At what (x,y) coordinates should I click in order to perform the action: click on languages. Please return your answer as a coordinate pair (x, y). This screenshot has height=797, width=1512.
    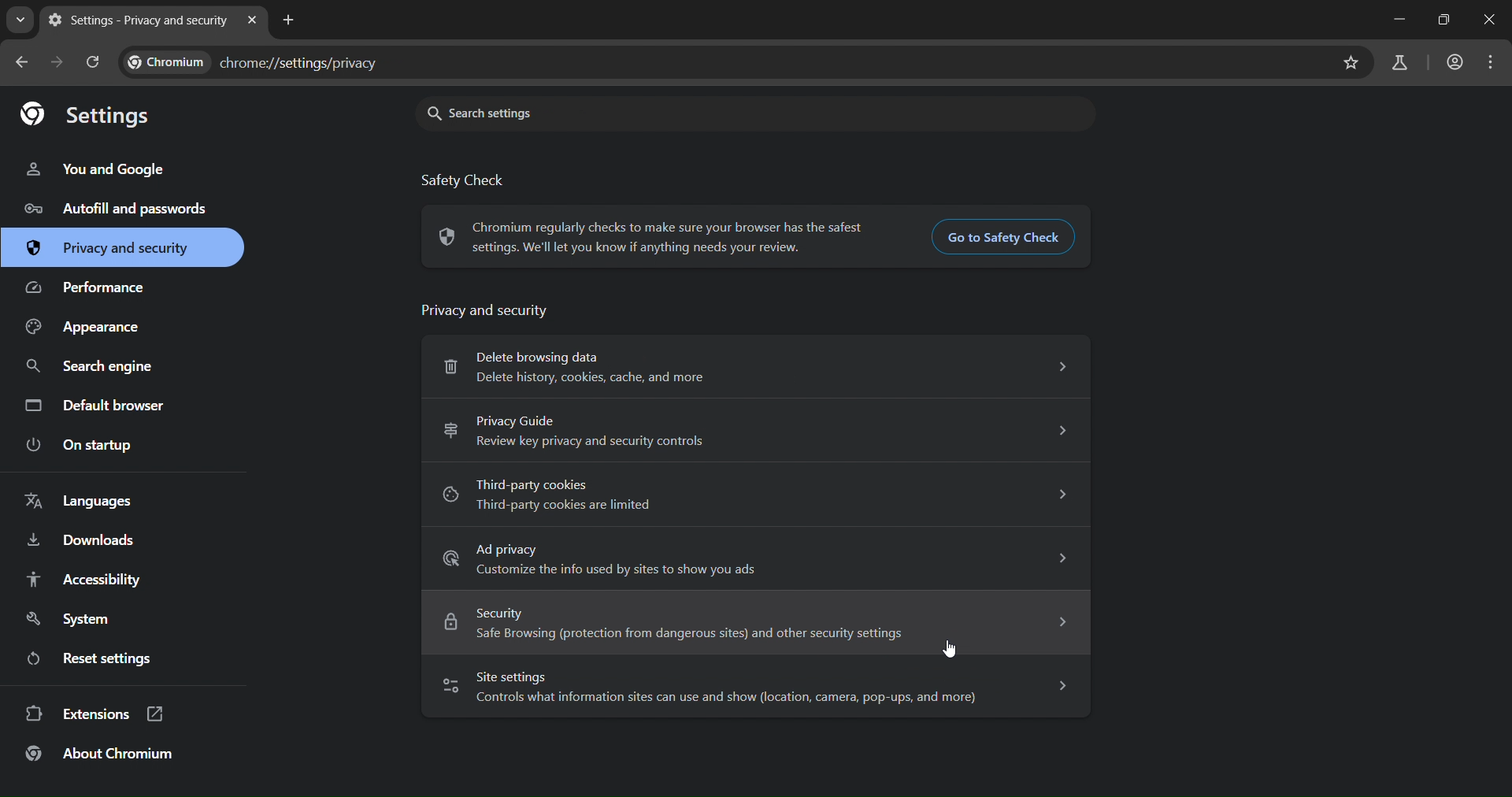
    Looking at the image, I should click on (91, 502).